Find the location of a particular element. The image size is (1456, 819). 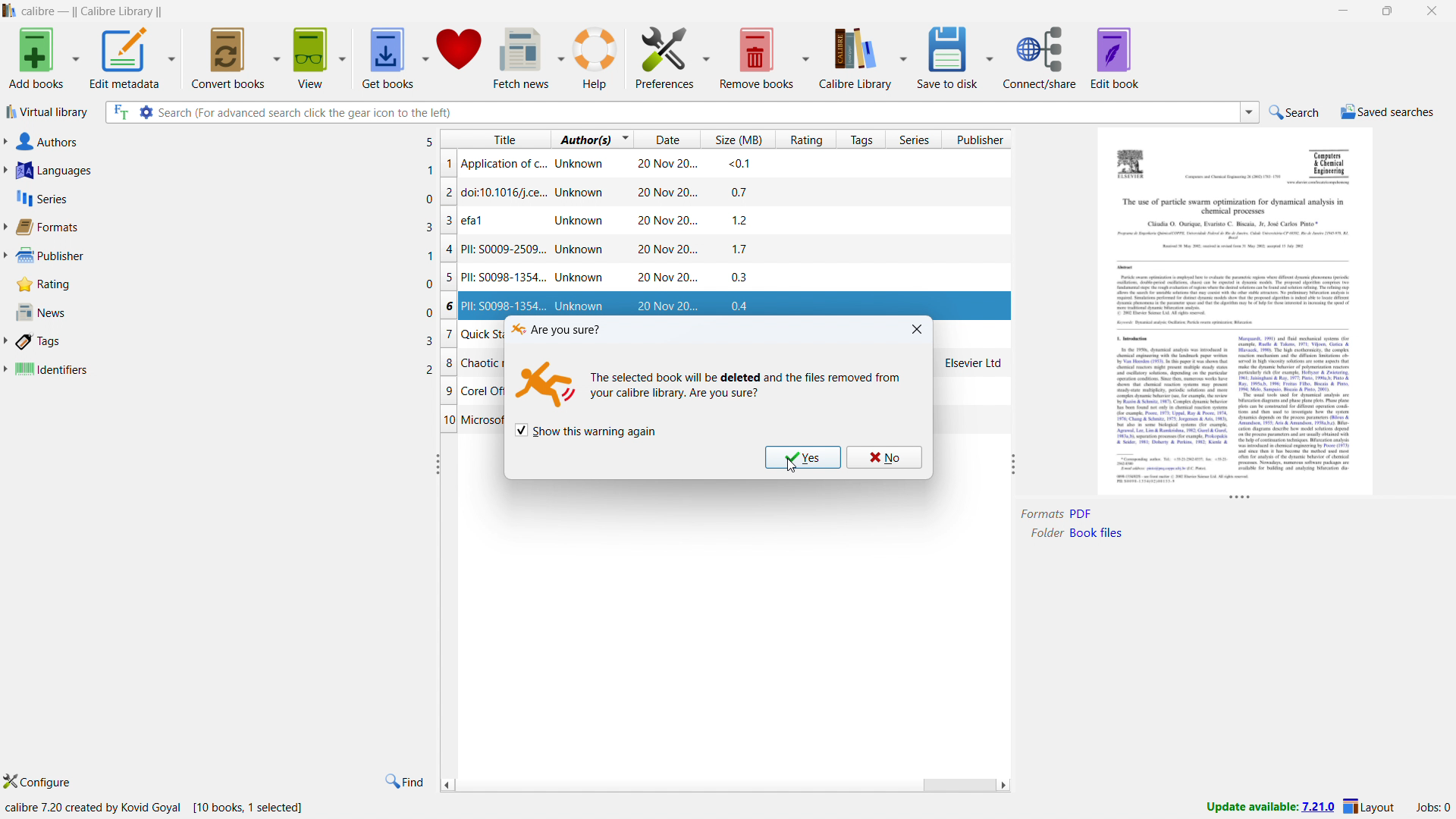

tags is located at coordinates (219, 340).